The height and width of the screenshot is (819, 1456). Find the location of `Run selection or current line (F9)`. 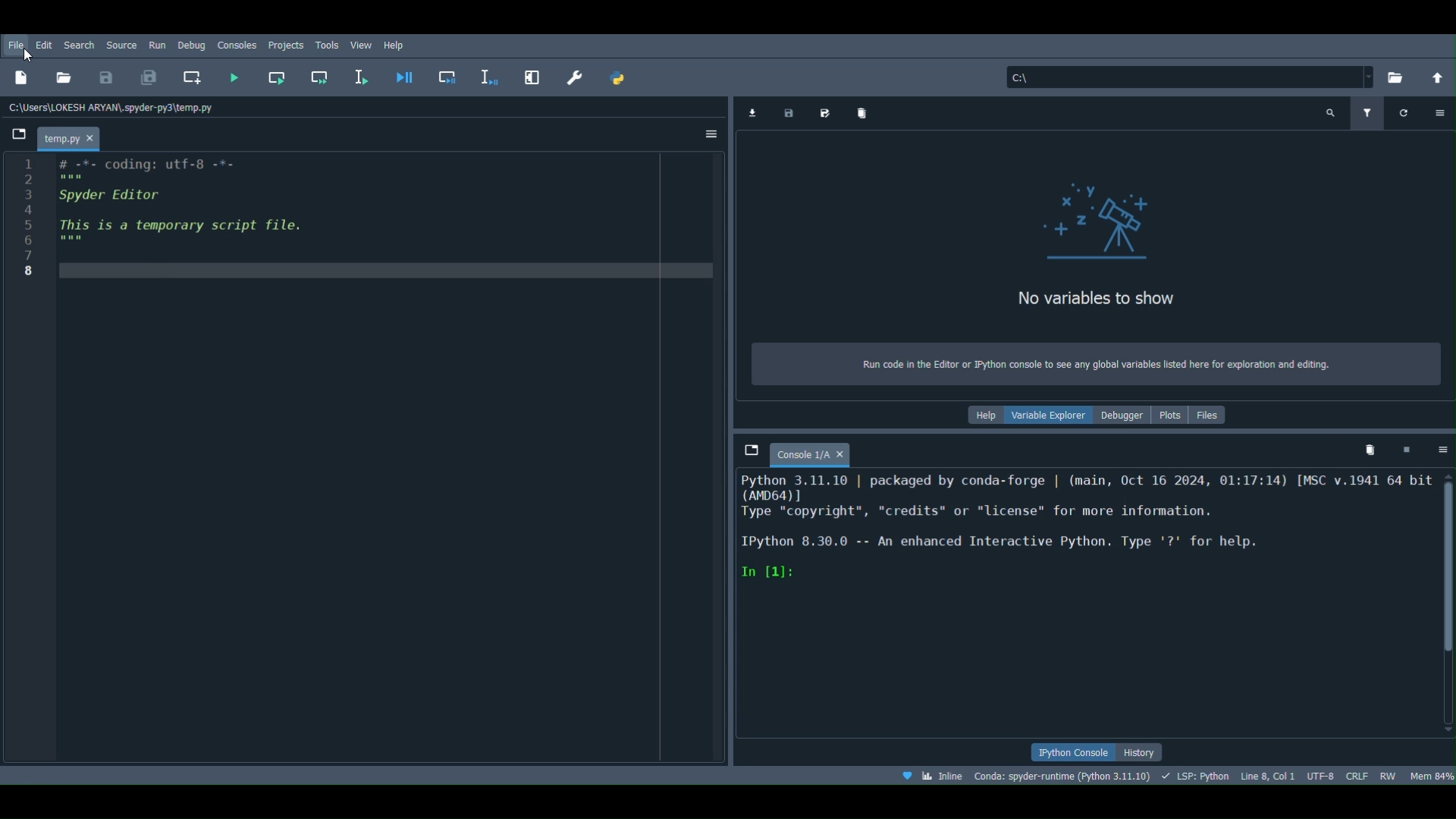

Run selection or current line (F9) is located at coordinates (362, 74).